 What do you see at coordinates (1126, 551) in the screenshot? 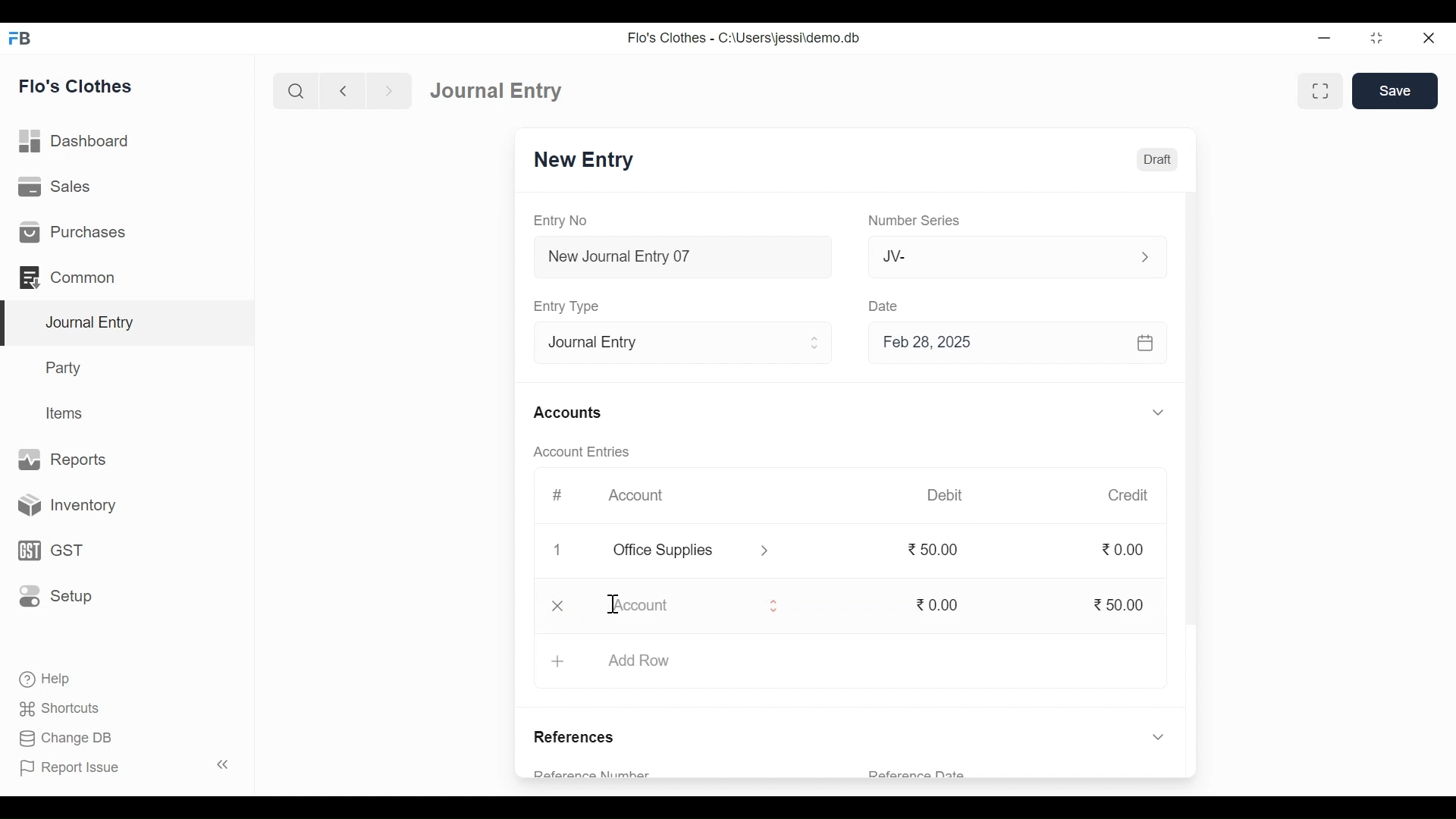
I see `0.00` at bounding box center [1126, 551].